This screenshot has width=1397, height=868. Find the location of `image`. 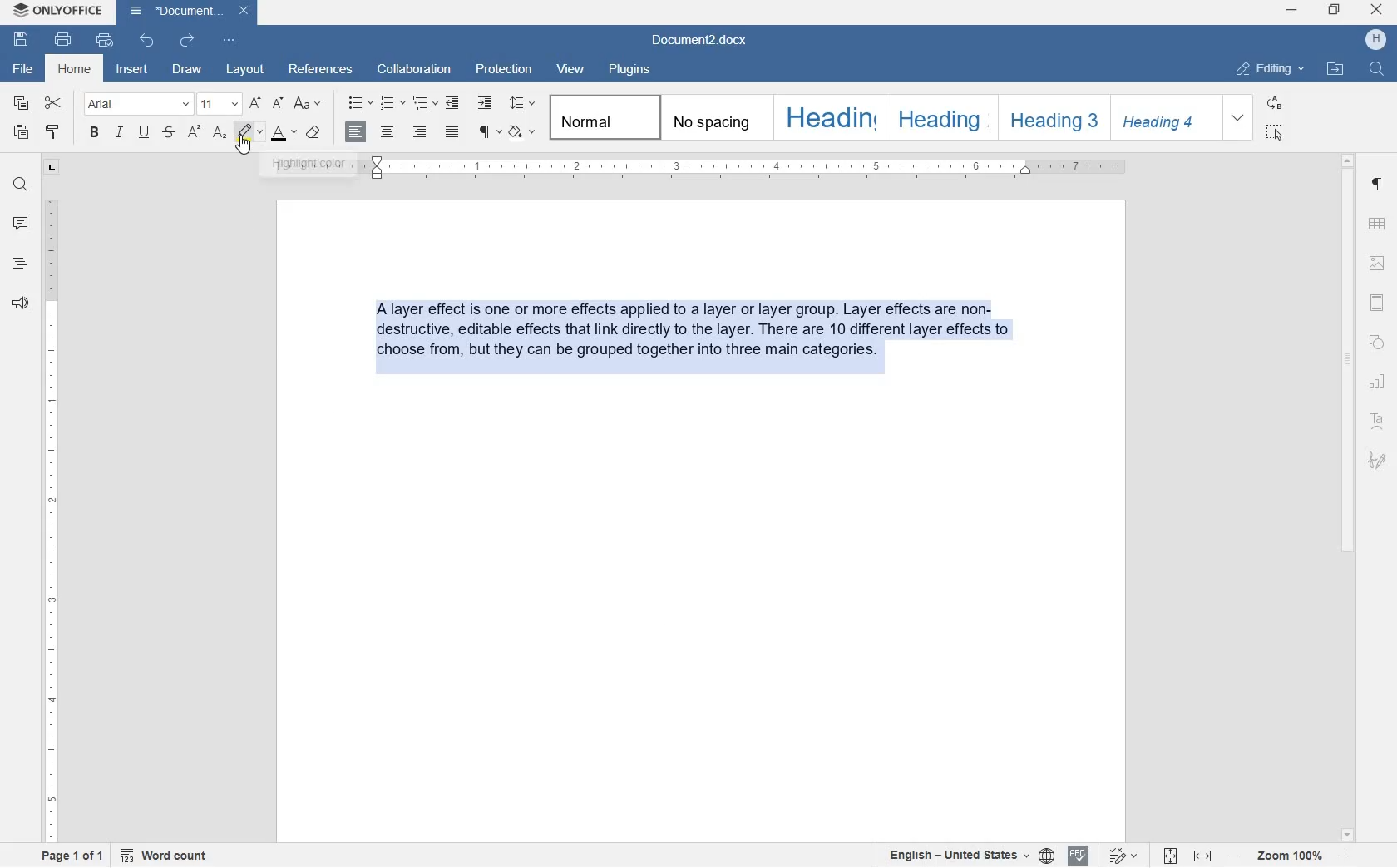

image is located at coordinates (1377, 264).